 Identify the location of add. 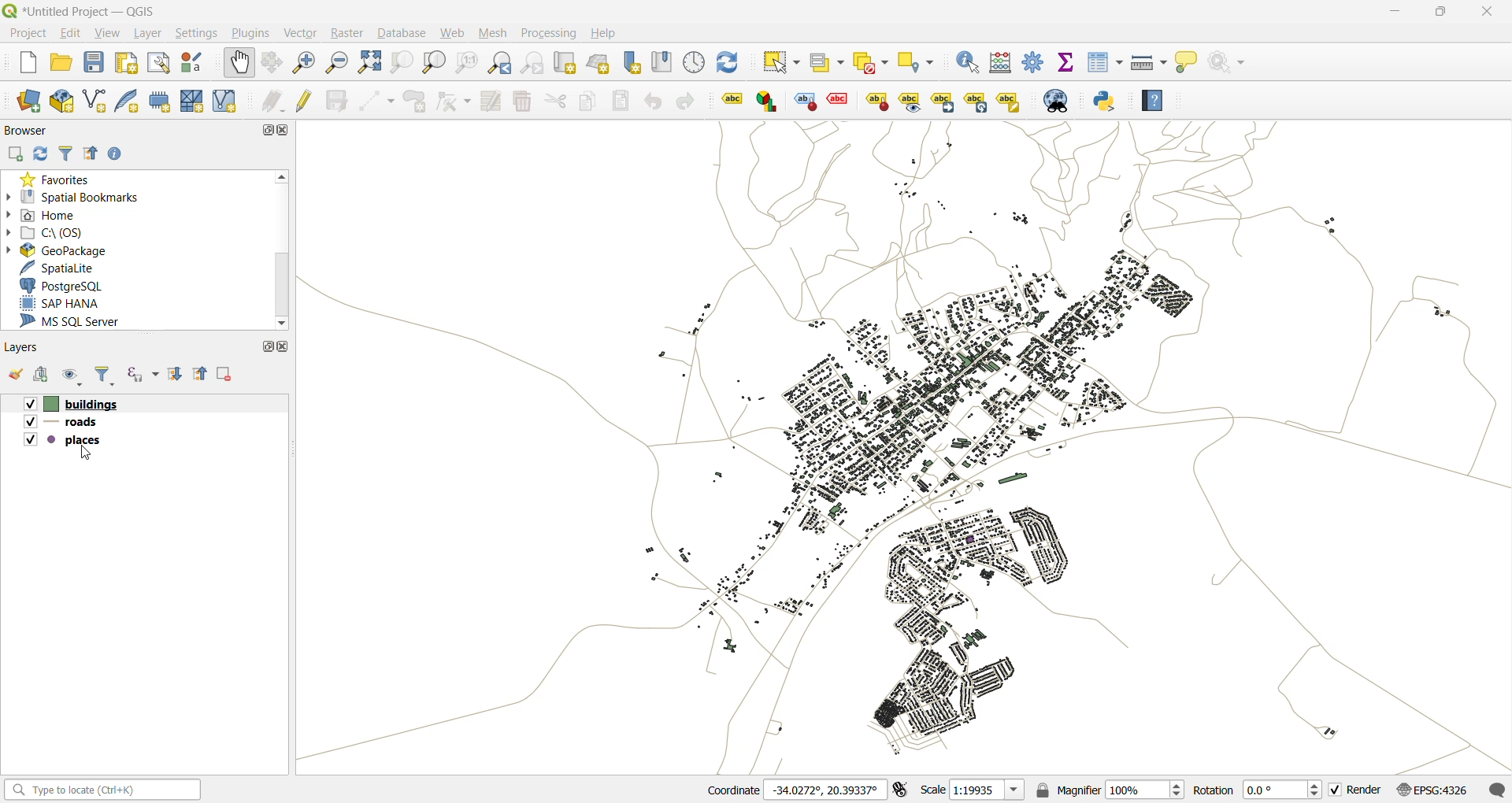
(47, 376).